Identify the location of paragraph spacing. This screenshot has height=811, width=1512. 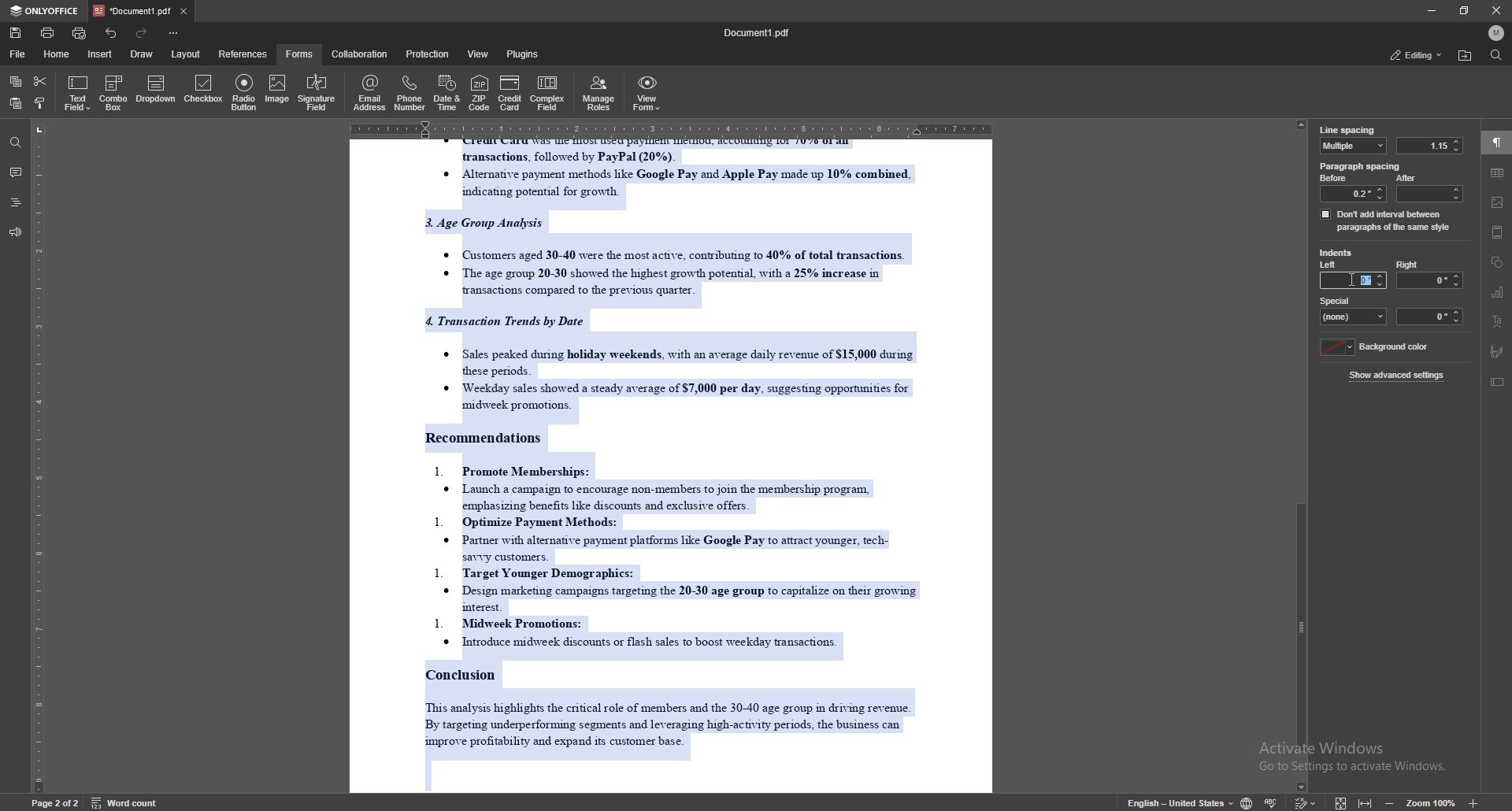
(1362, 166).